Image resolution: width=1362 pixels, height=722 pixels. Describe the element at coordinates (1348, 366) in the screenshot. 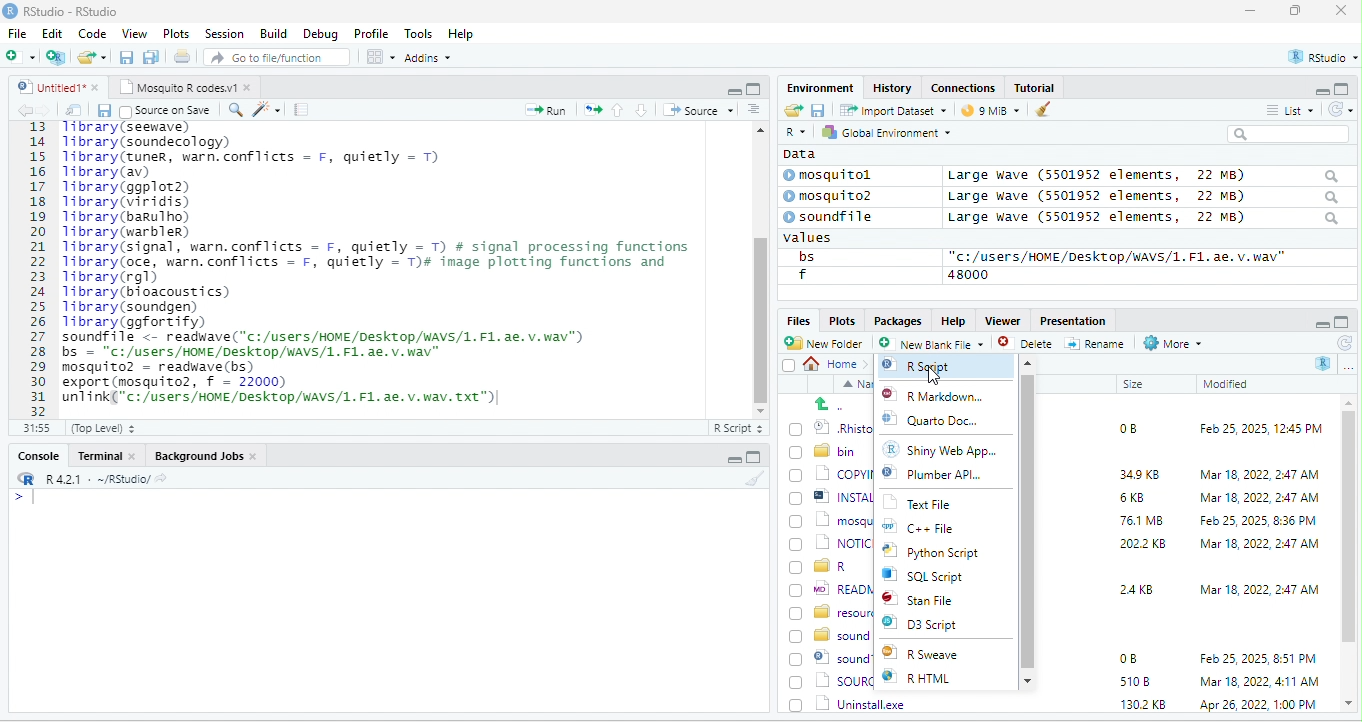

I see `more` at that location.